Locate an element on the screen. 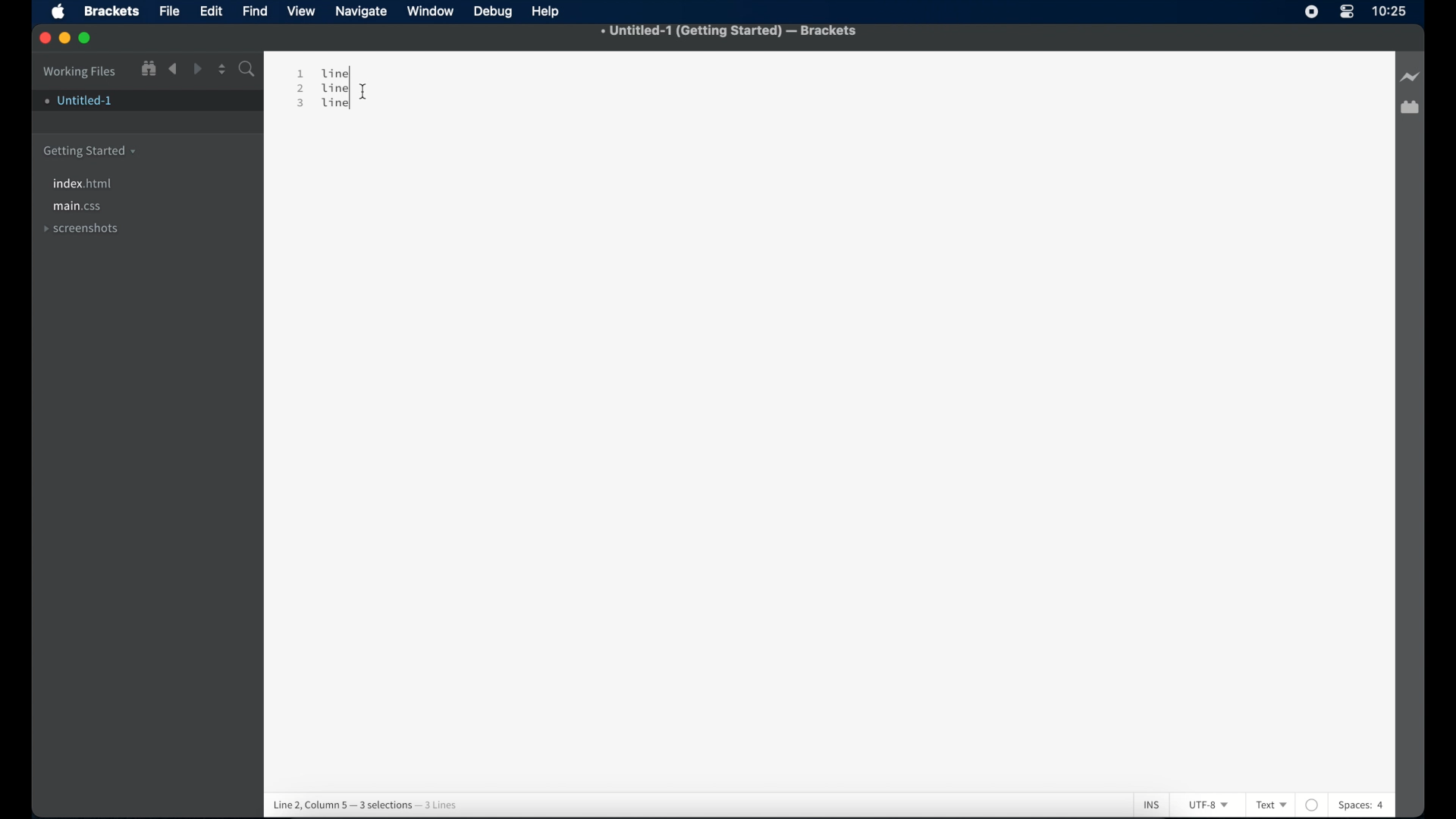  utf-8 menu is located at coordinates (1210, 805).